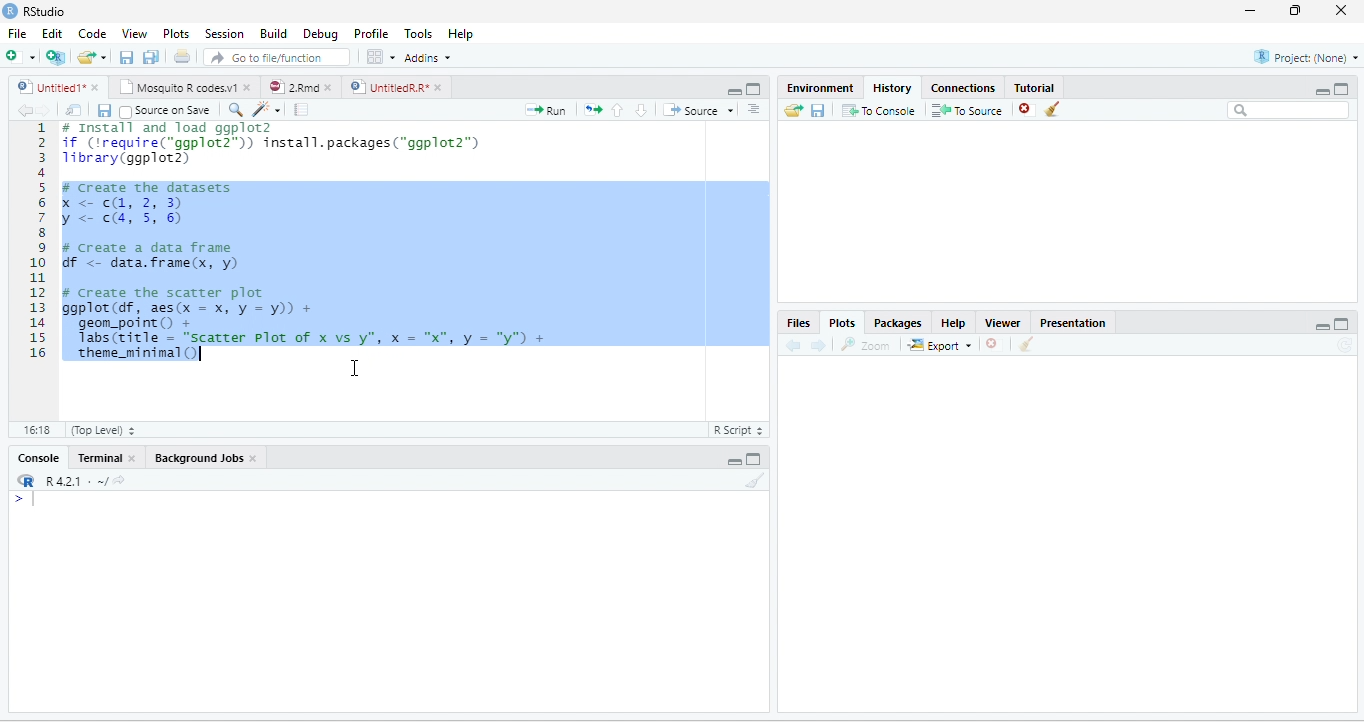 This screenshot has width=1364, height=722. I want to click on Open recent files, so click(103, 57).